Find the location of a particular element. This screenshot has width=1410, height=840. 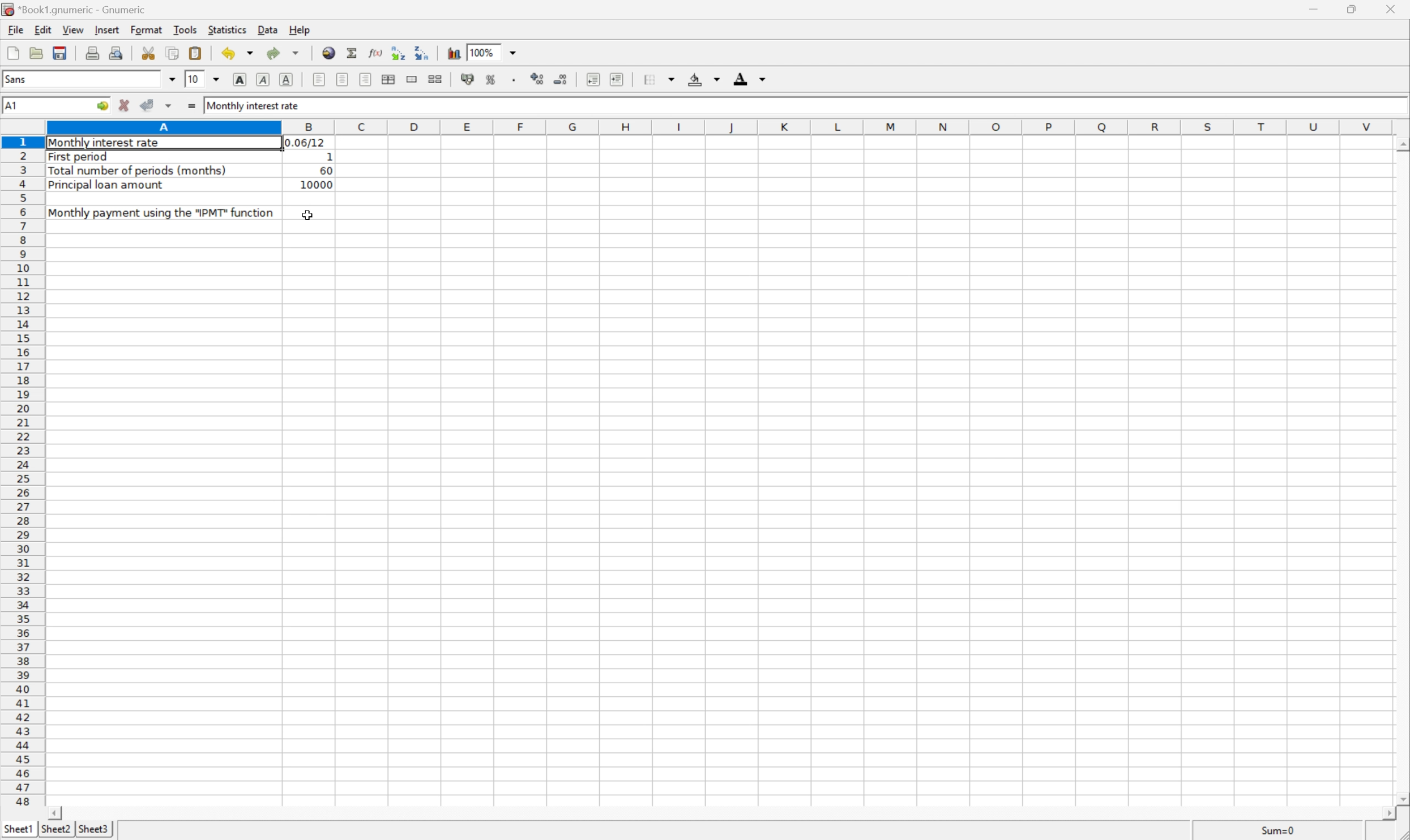

Data is located at coordinates (268, 31).